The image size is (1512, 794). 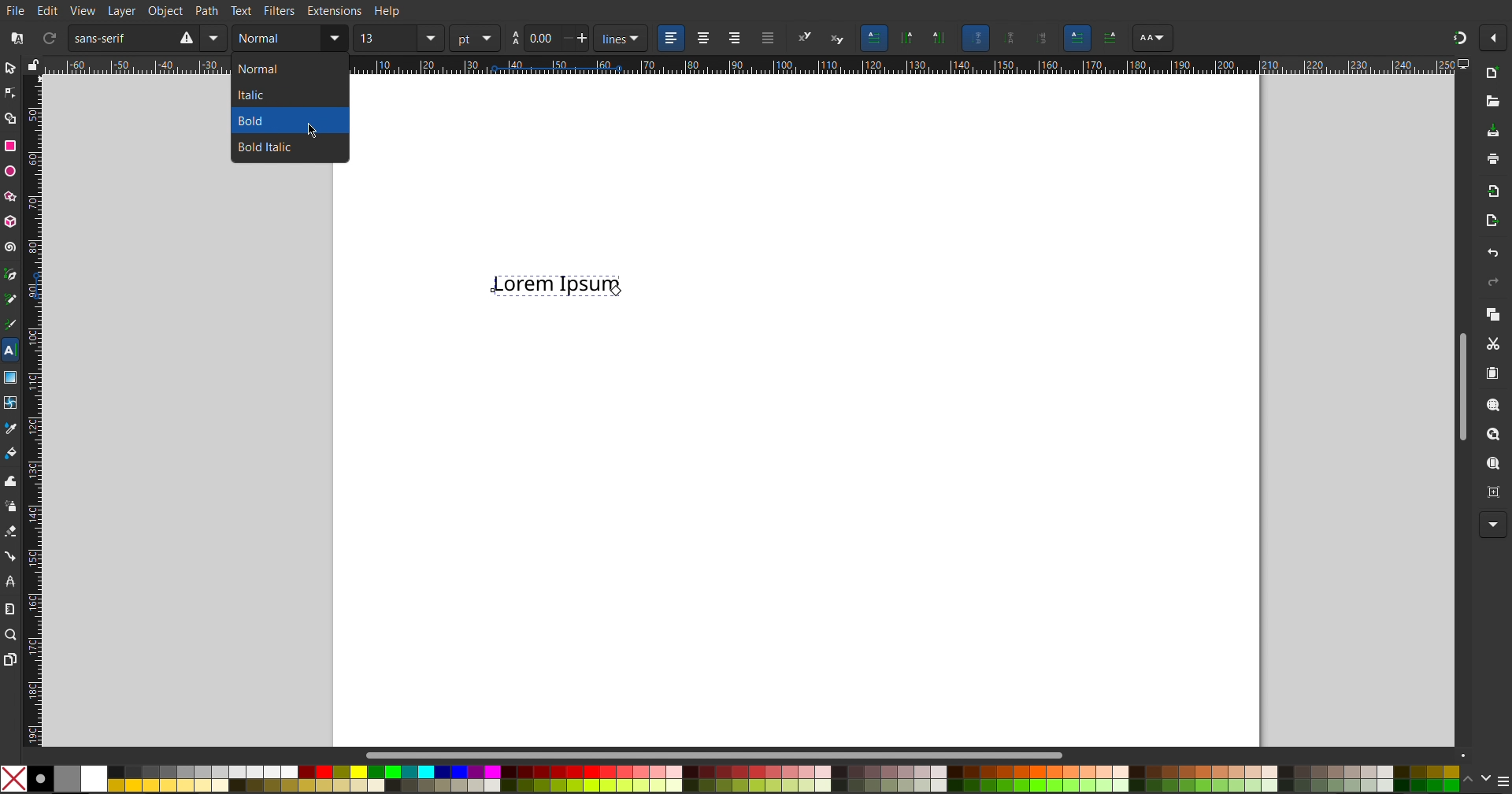 I want to click on Italic, so click(x=282, y=96).